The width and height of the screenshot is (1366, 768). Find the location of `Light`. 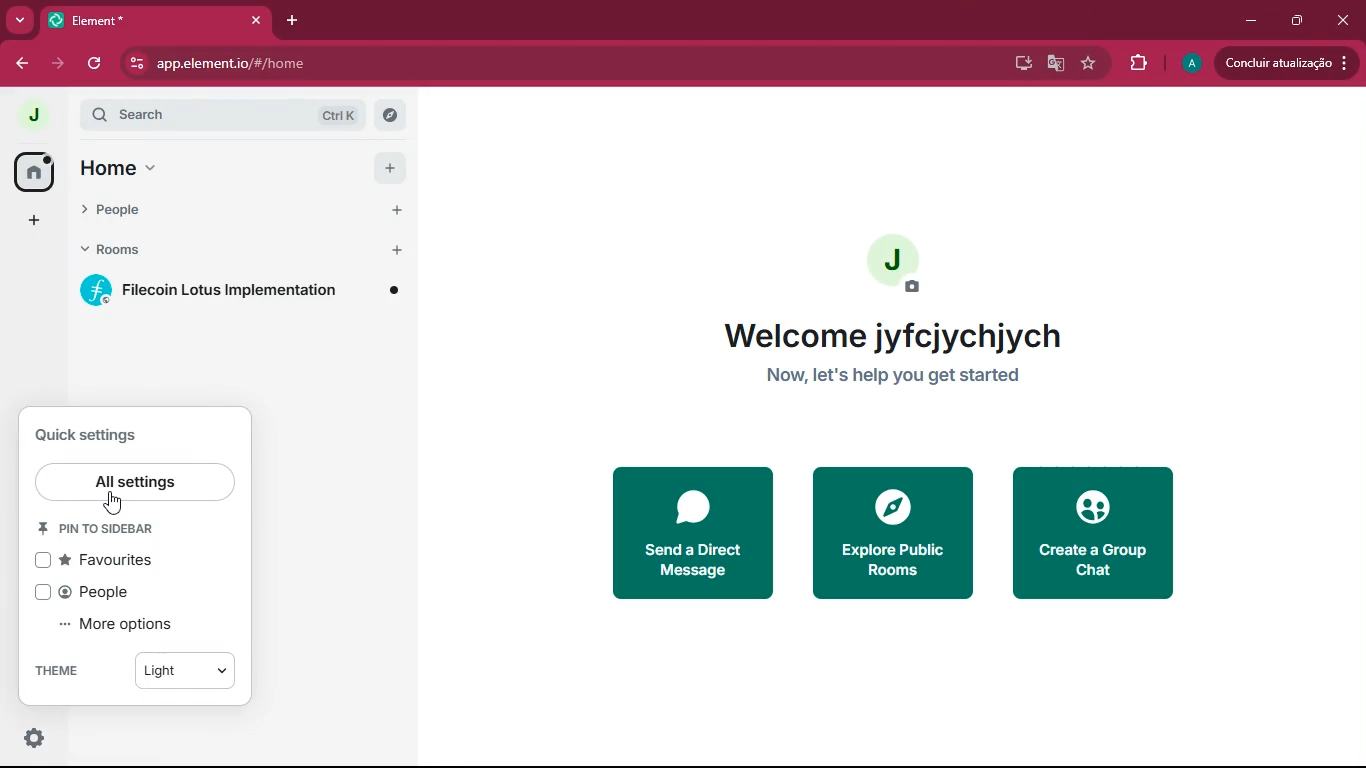

Light is located at coordinates (183, 666).